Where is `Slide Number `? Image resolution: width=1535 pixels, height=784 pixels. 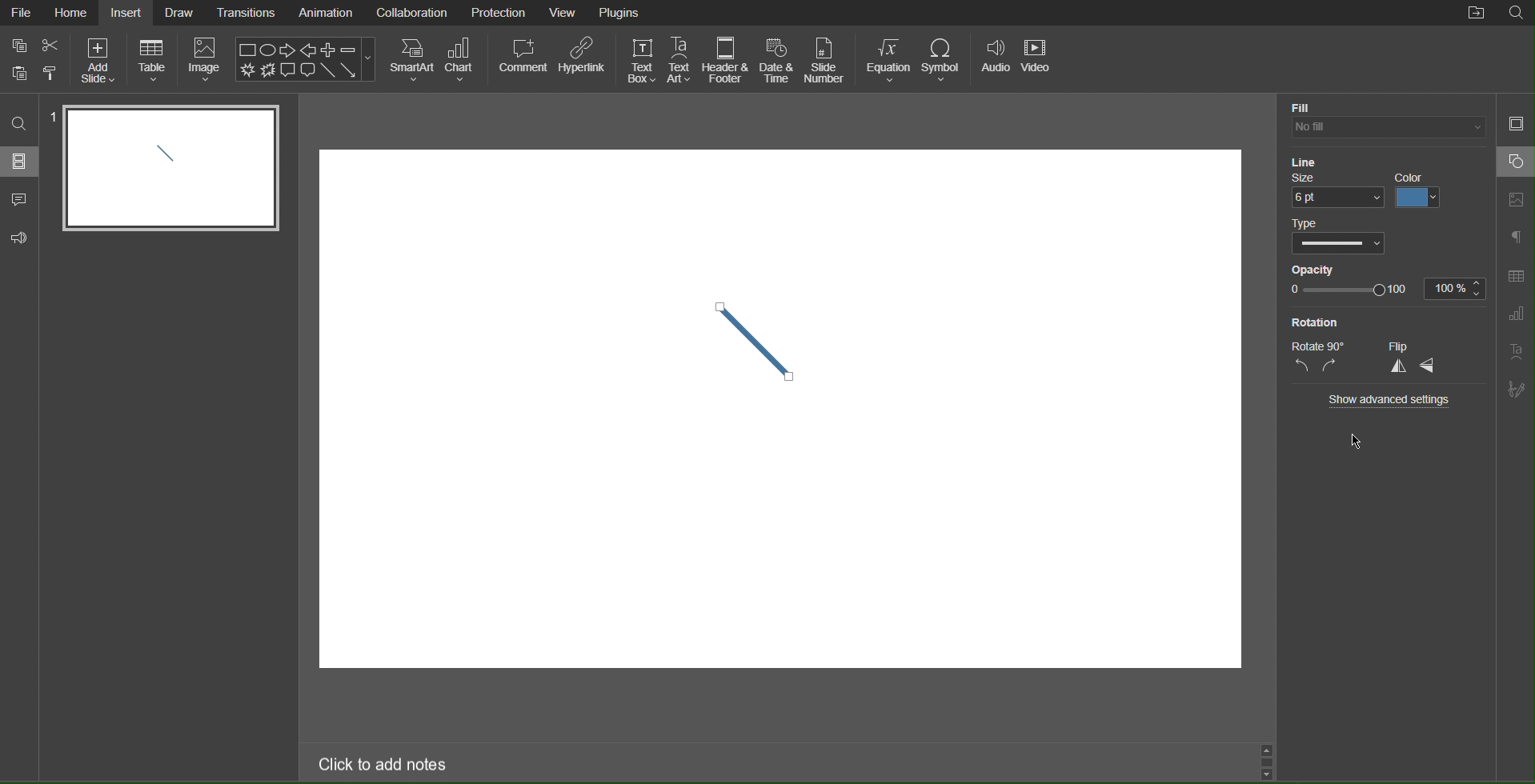 Slide Number  is located at coordinates (826, 59).